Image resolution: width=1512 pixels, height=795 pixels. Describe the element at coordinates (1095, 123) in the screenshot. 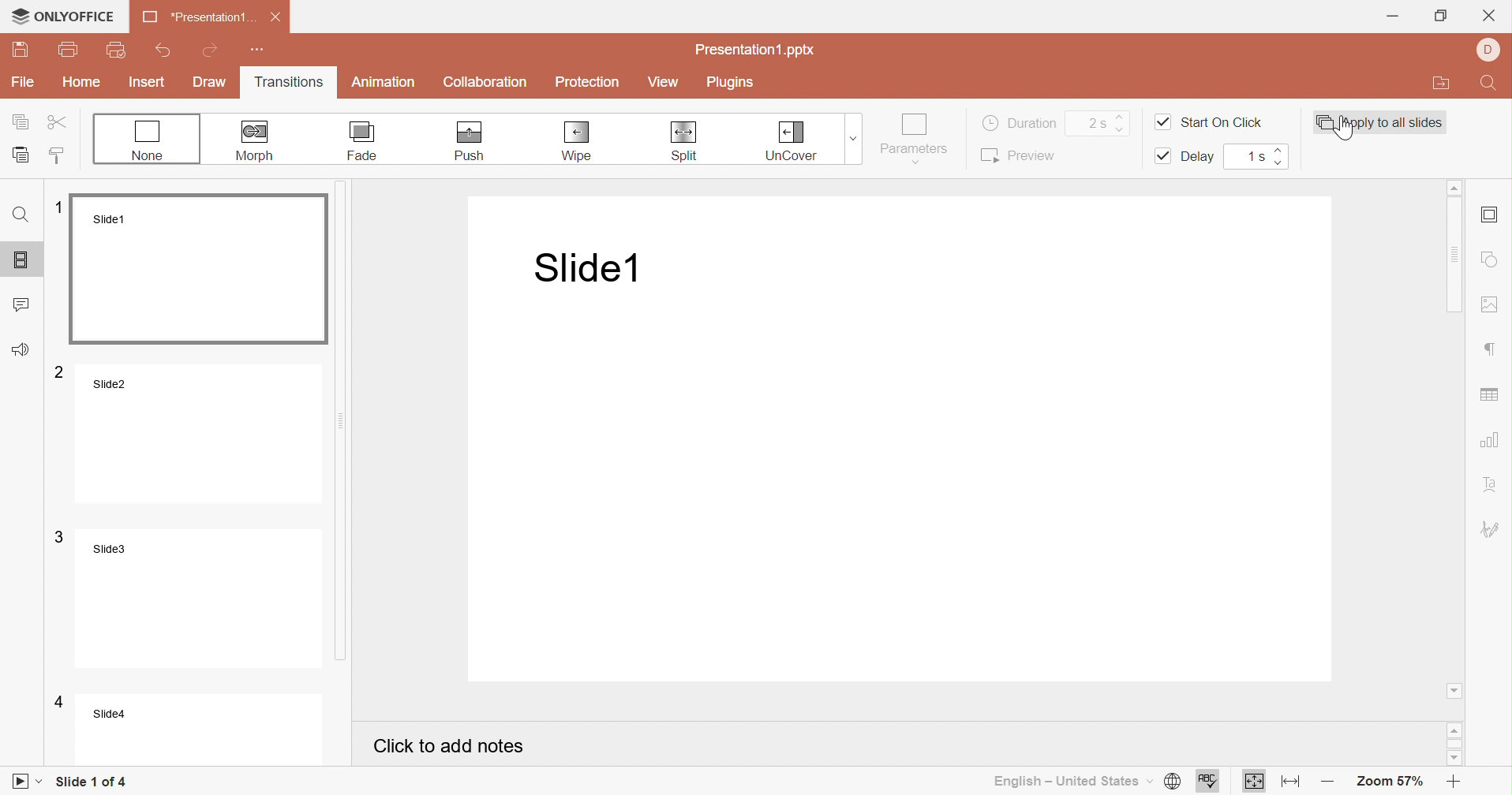

I see `2s` at that location.